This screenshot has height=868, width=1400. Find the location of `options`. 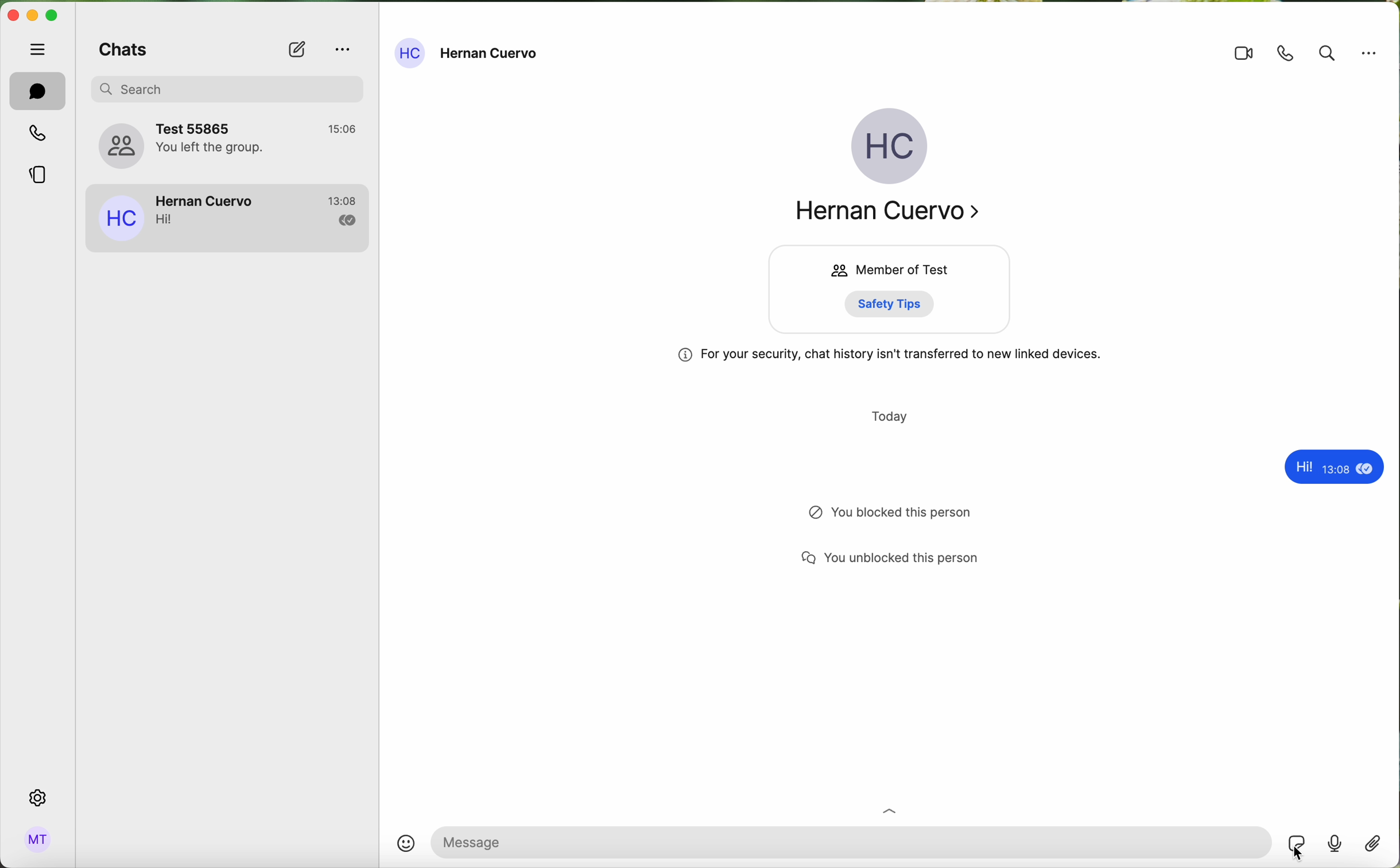

options is located at coordinates (342, 48).